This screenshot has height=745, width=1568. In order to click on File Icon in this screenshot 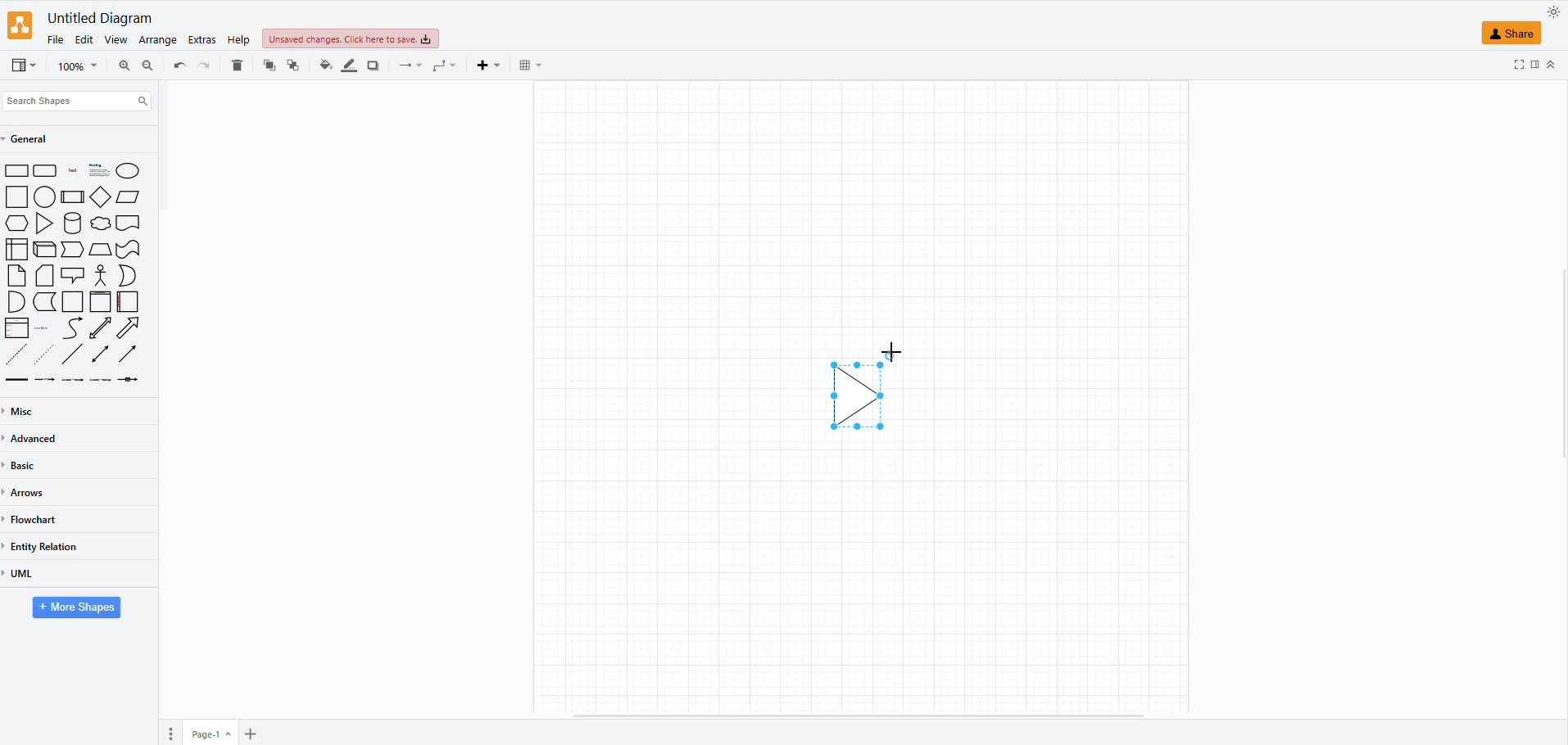, I will do `click(17, 276)`.